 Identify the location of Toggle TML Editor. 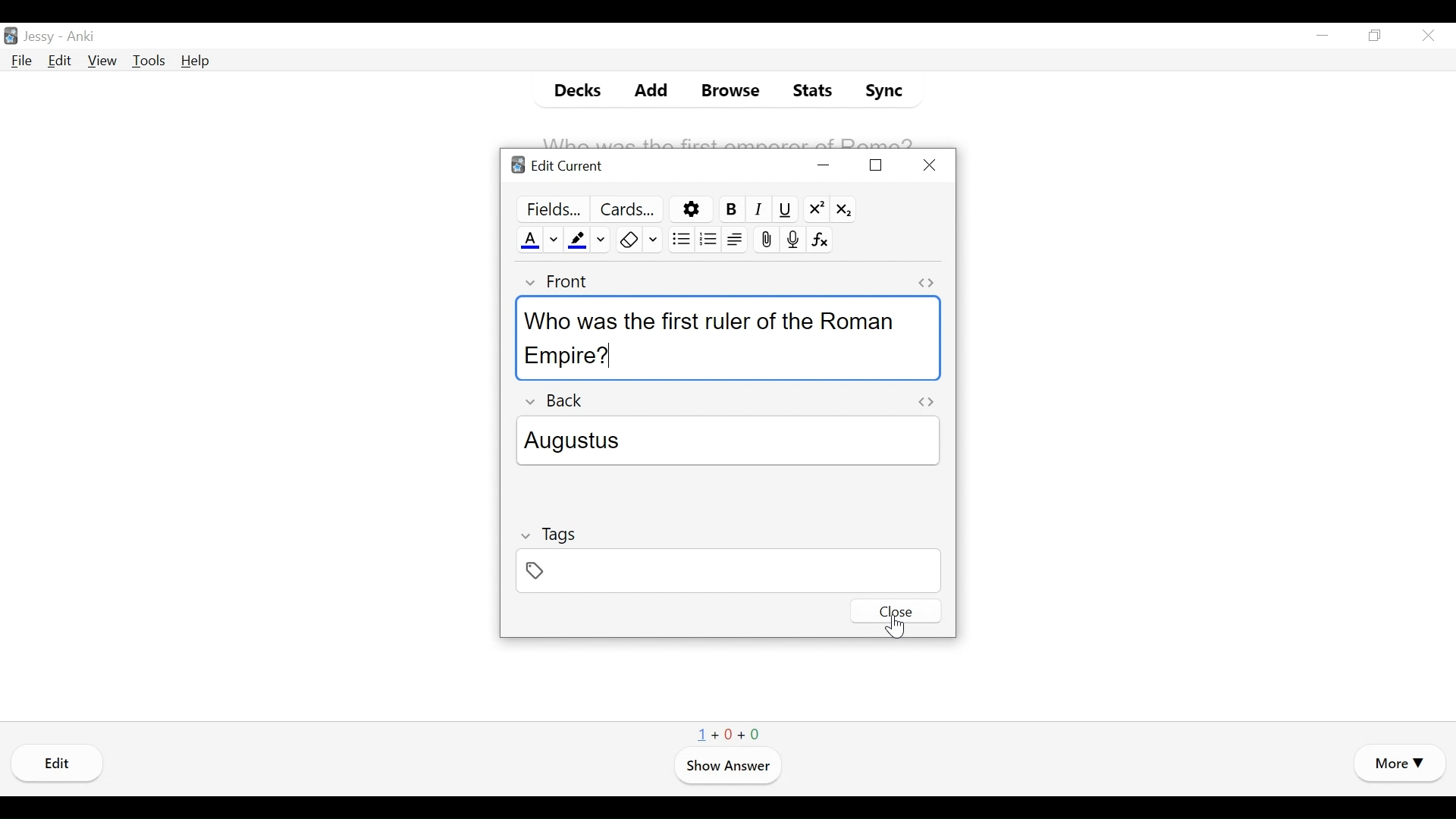
(927, 401).